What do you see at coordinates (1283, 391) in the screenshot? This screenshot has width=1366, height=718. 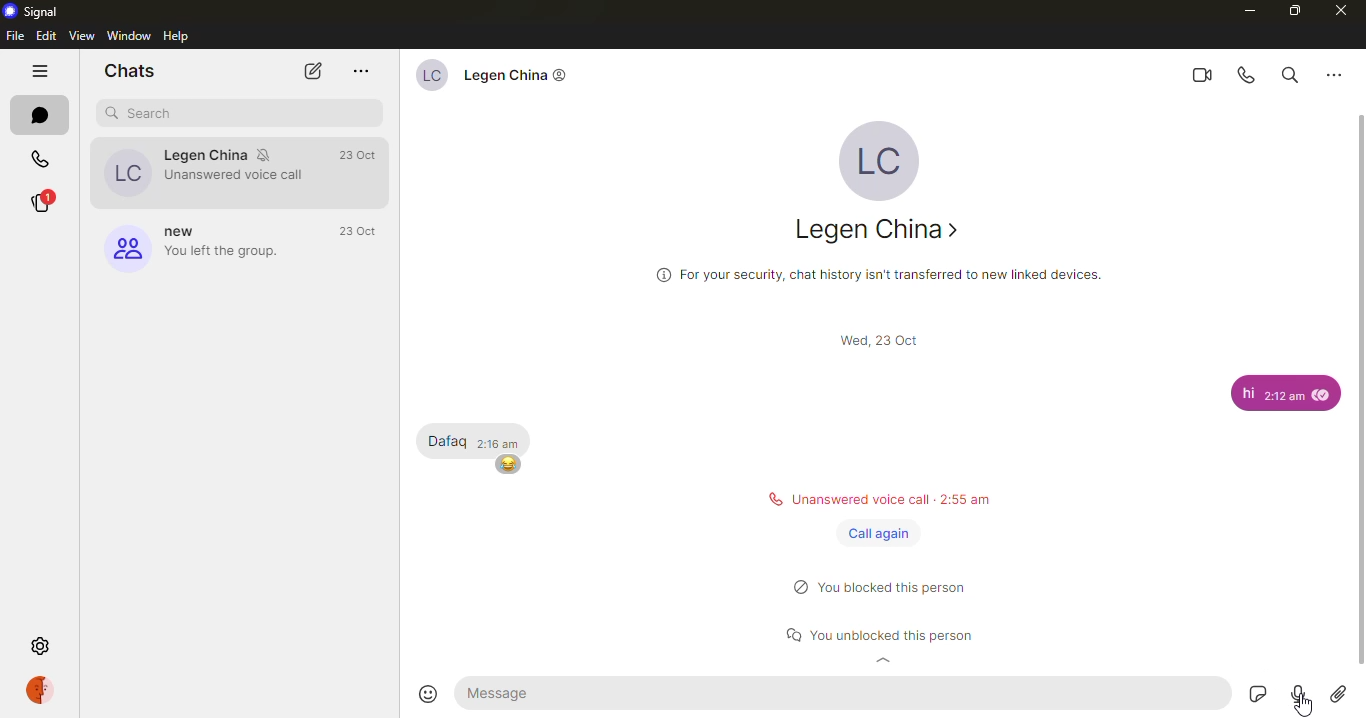 I see `message` at bounding box center [1283, 391].